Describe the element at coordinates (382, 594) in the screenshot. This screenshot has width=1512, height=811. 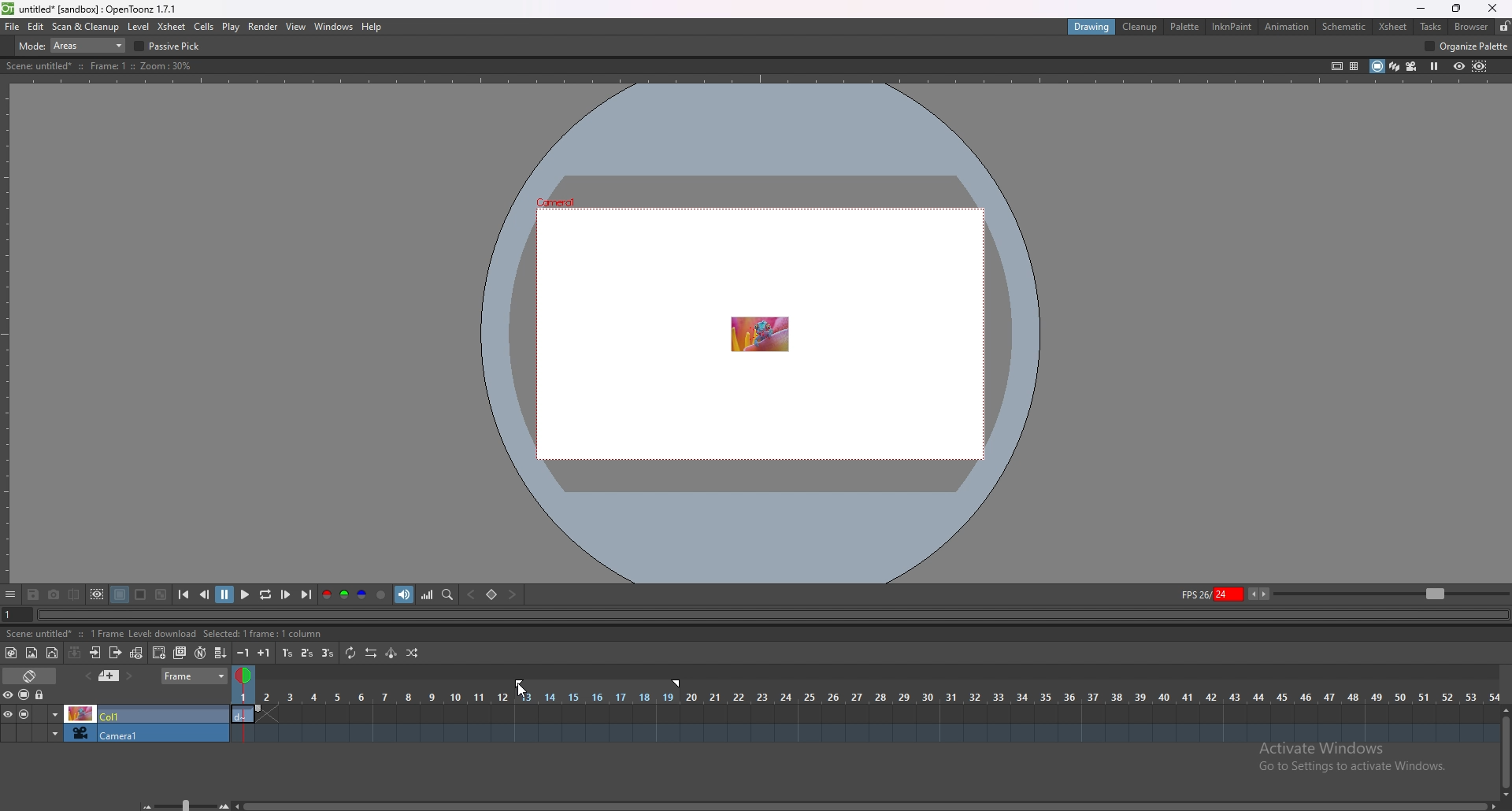
I see `alpha channel` at that location.